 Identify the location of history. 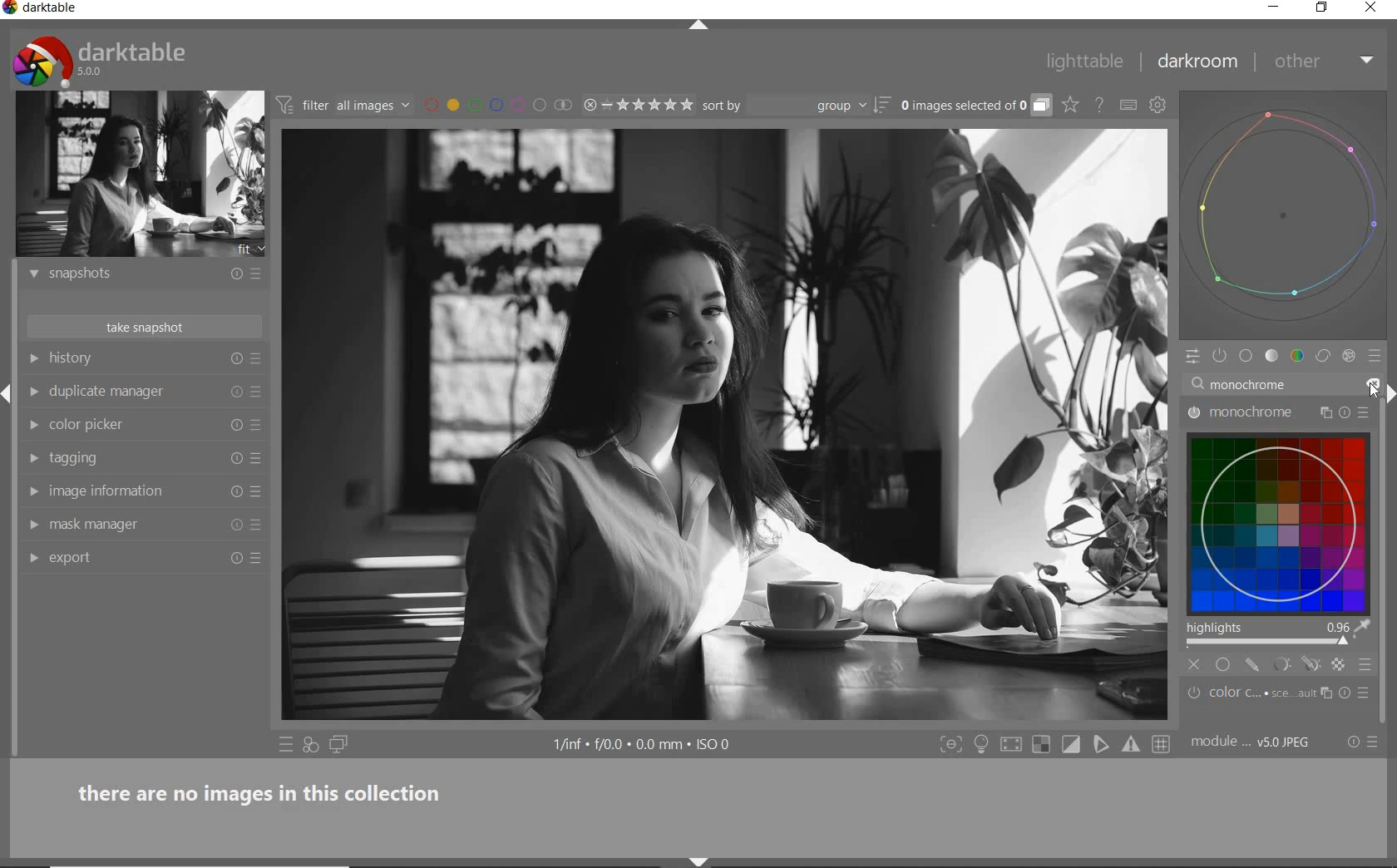
(135, 359).